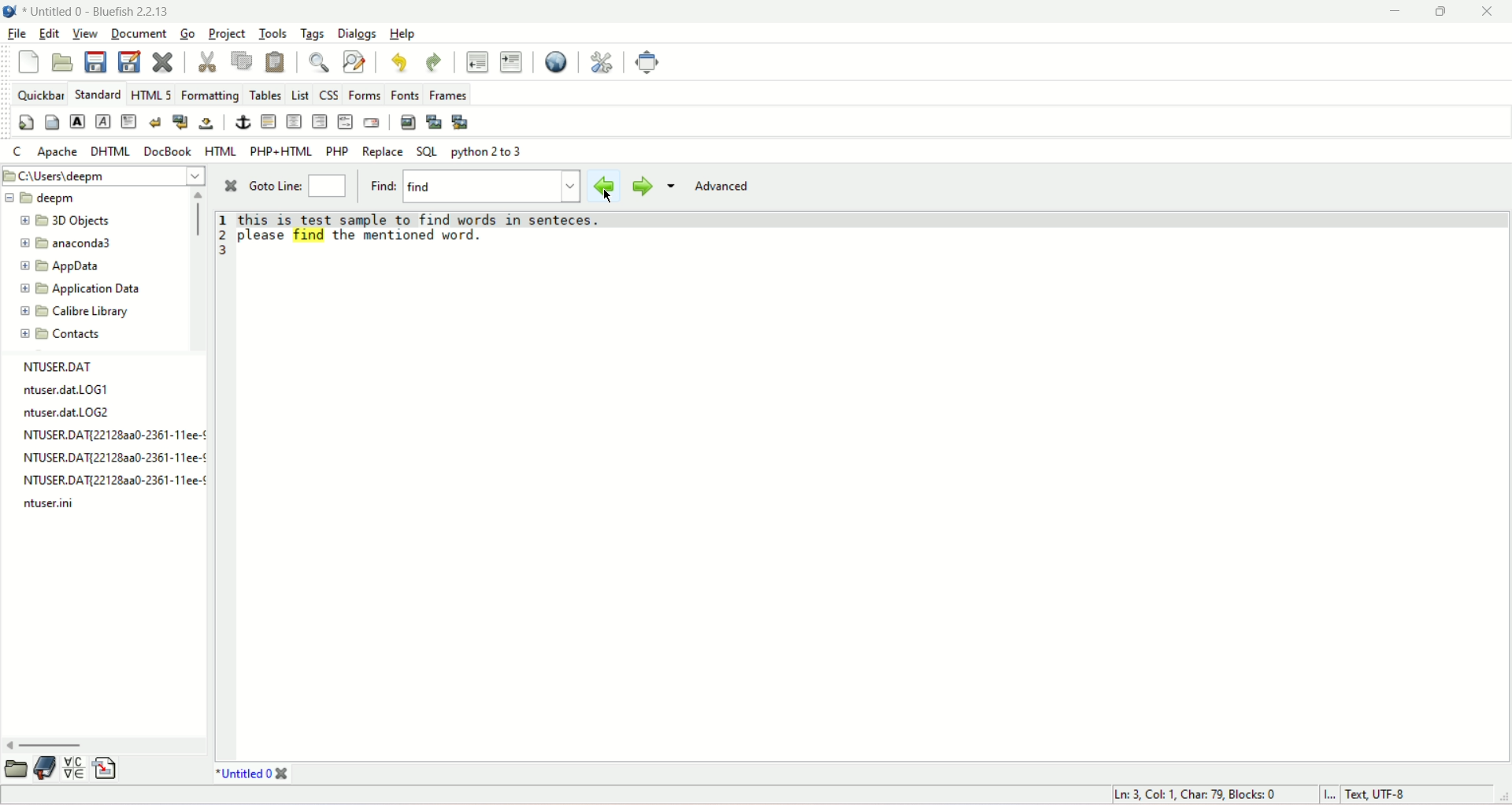 The width and height of the screenshot is (1512, 805). Describe the element at coordinates (224, 235) in the screenshot. I see `line number` at that location.